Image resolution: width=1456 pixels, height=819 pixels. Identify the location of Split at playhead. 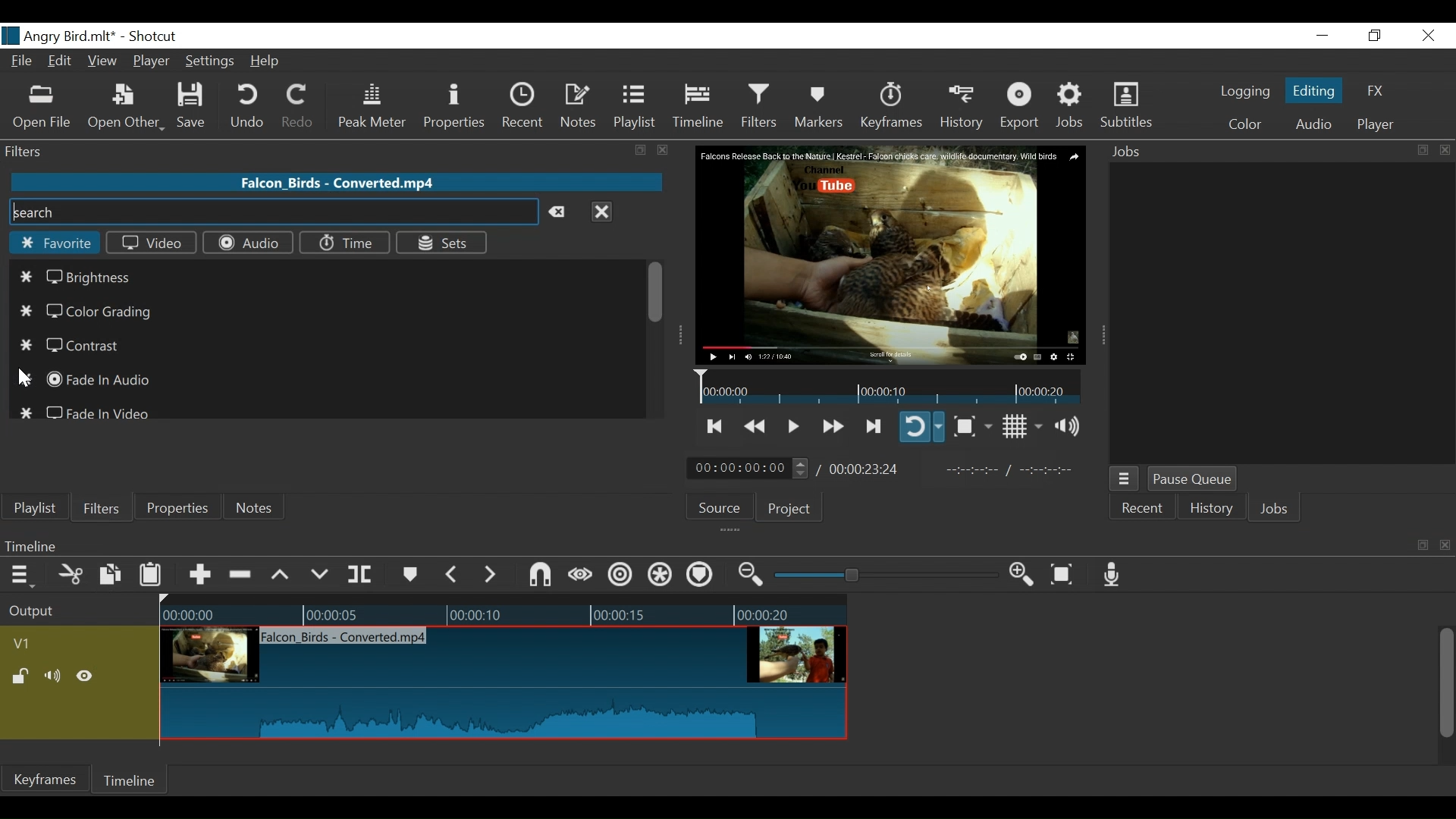
(360, 575).